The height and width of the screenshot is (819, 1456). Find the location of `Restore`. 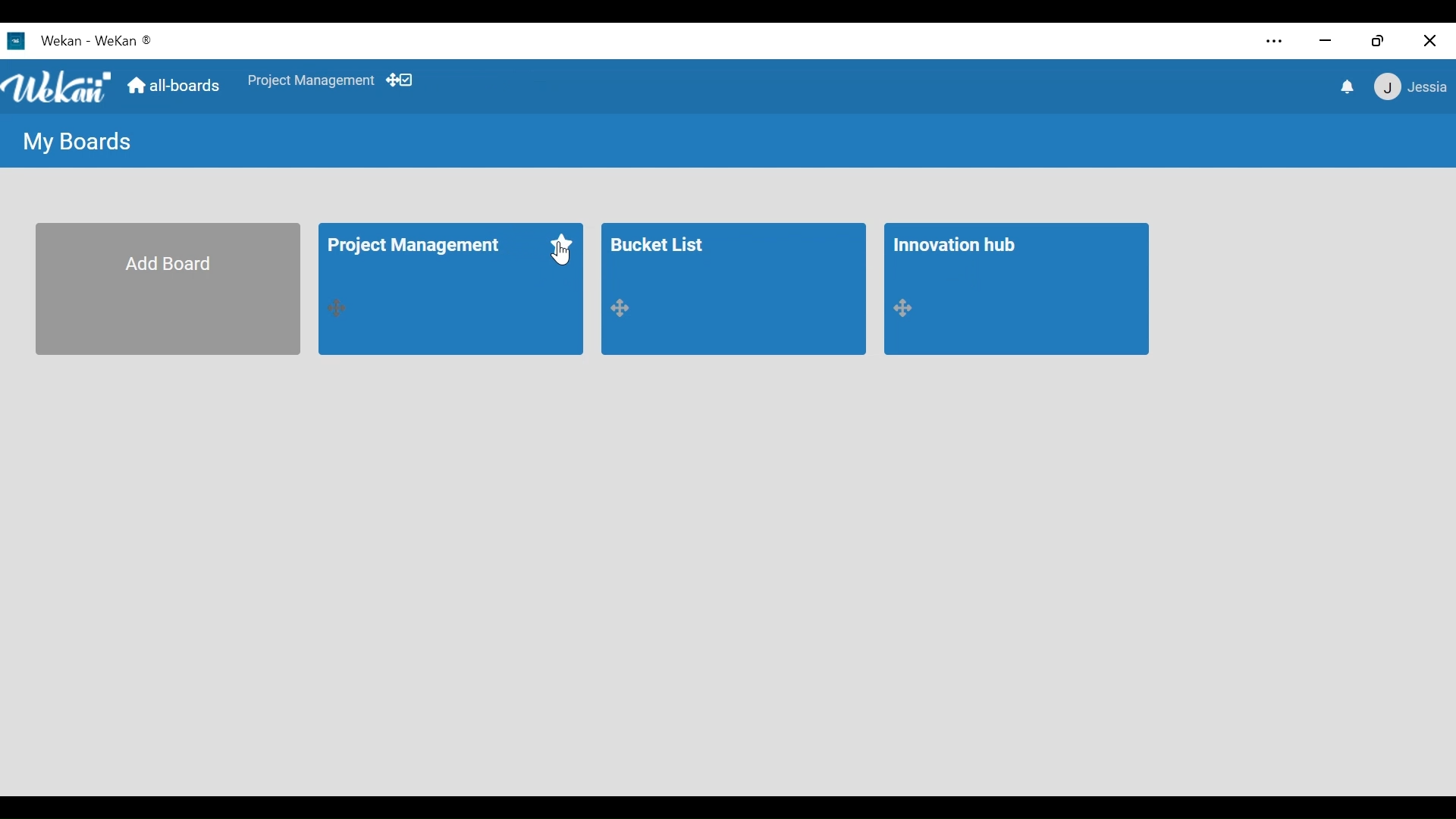

Restore is located at coordinates (1379, 41).